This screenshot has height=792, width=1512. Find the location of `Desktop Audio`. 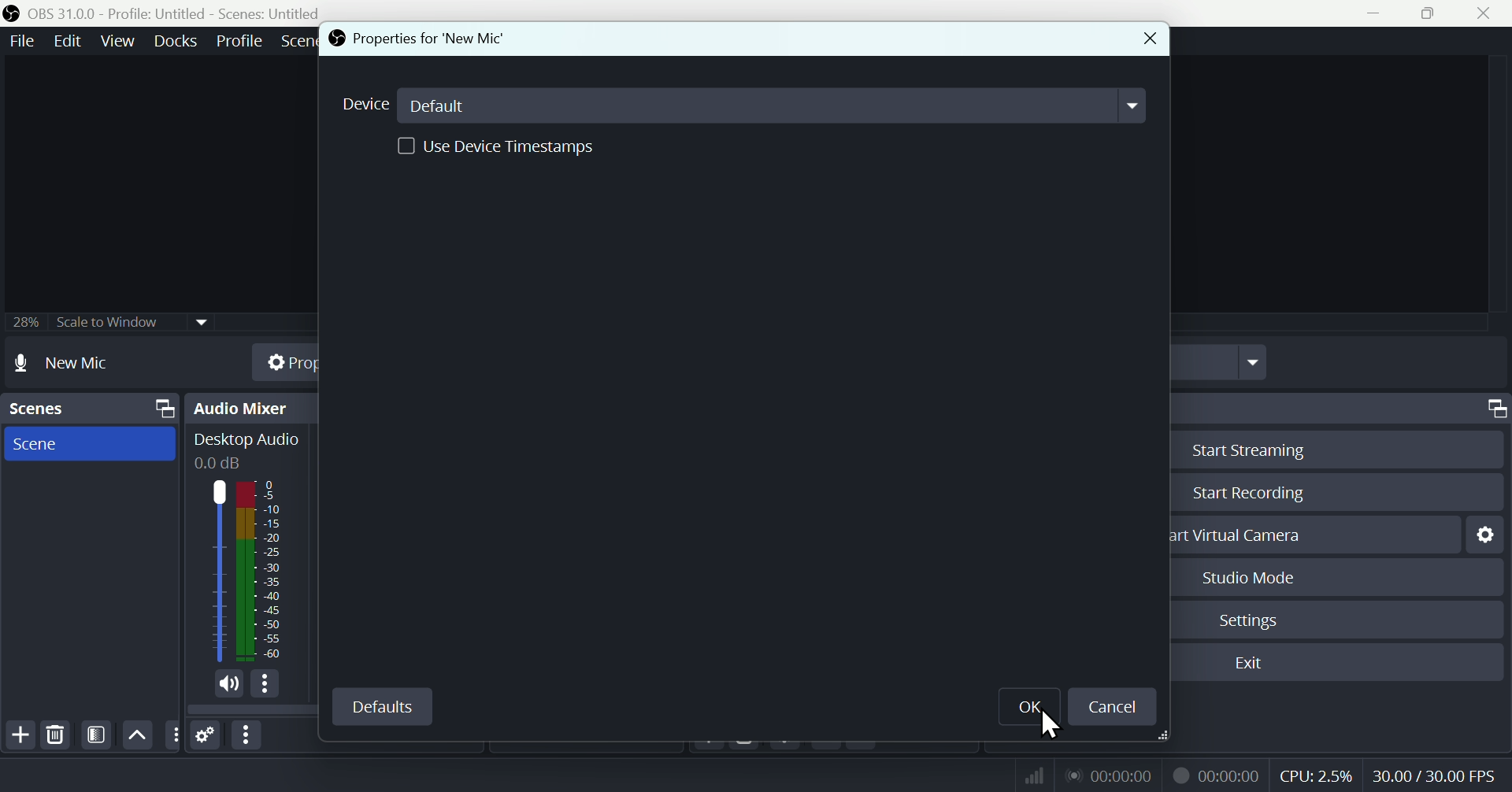

Desktop Audio is located at coordinates (246, 440).